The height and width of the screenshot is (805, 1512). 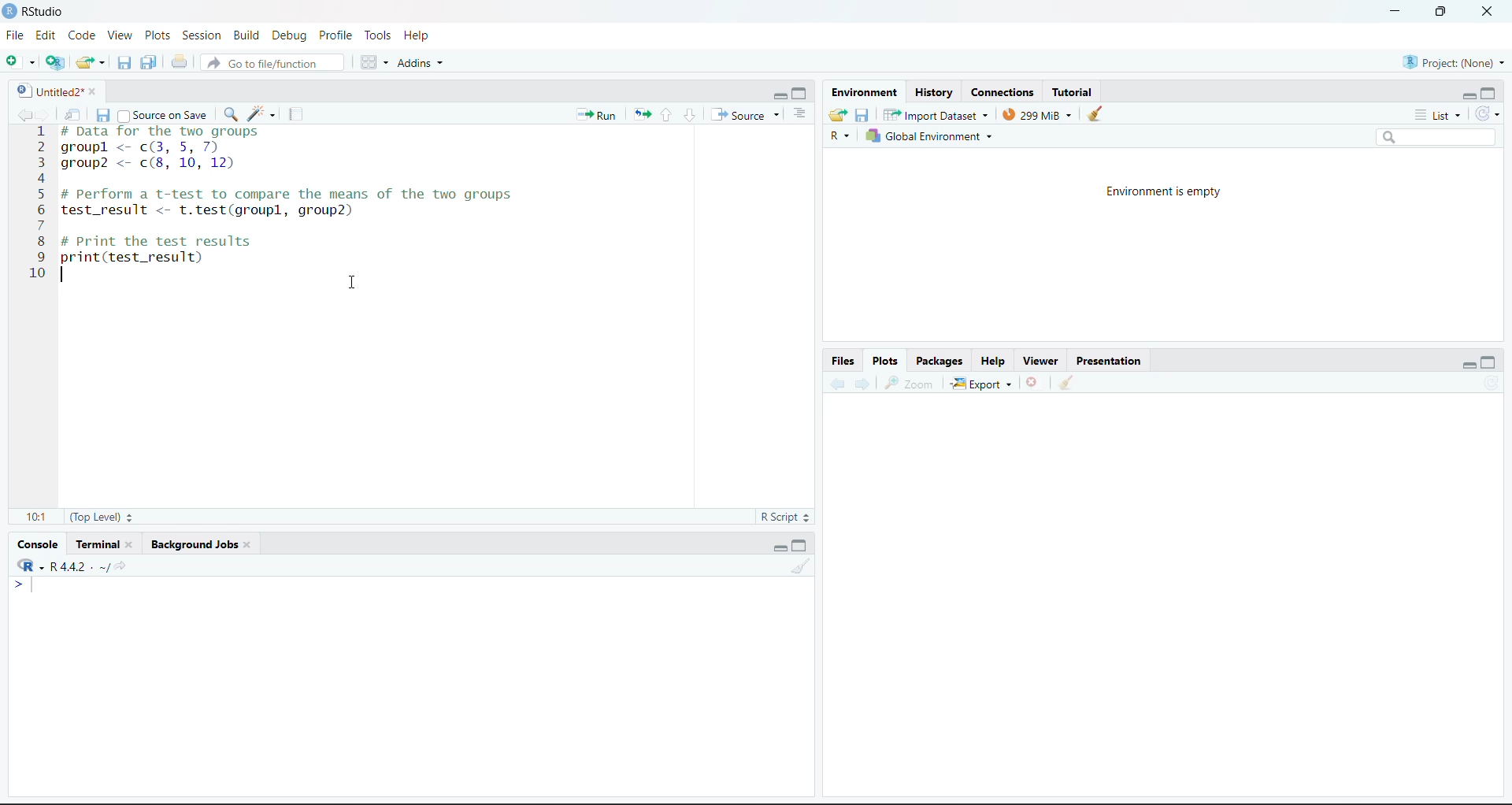 I want to click on clear console, so click(x=799, y=566).